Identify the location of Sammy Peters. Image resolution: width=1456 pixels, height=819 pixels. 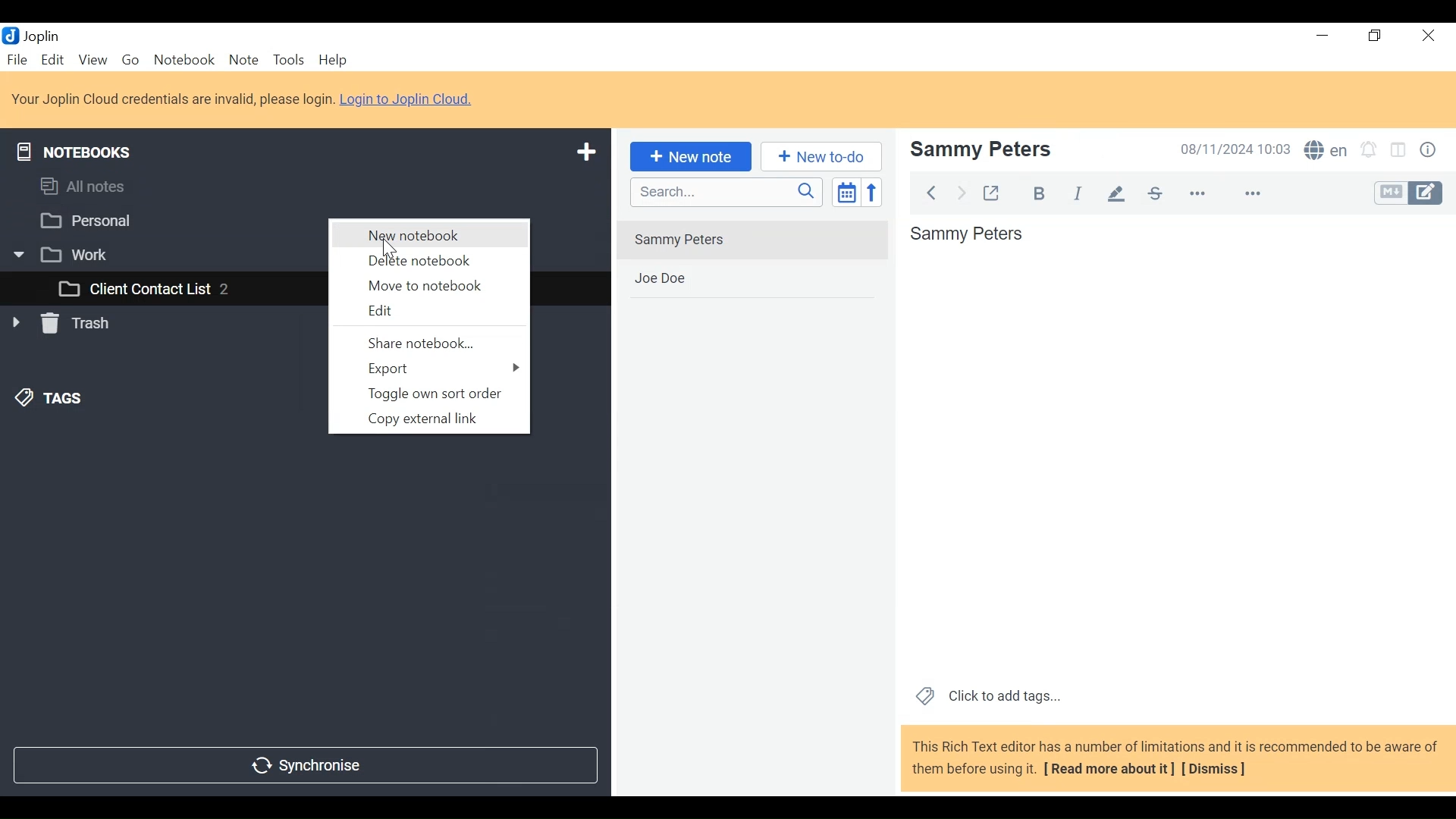
(980, 150).